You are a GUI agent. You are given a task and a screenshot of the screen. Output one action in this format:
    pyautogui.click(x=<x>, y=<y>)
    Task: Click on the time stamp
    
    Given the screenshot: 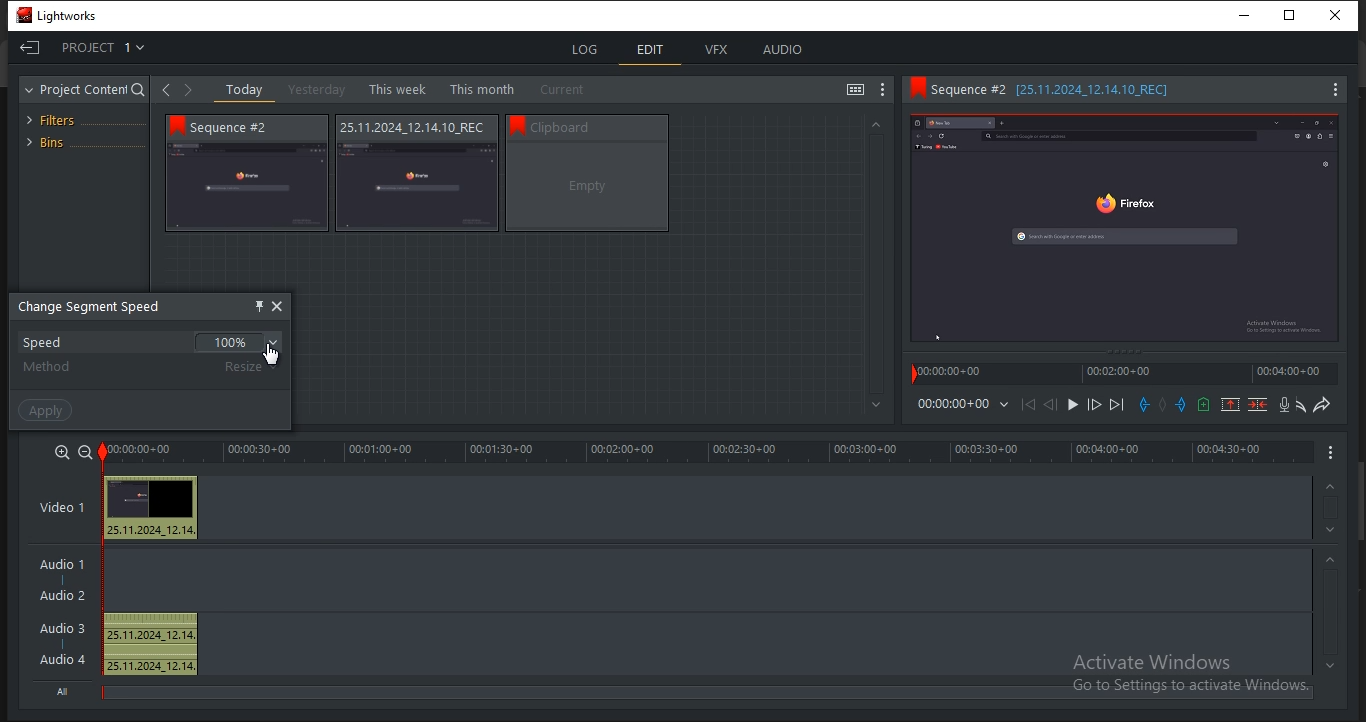 What is the action you would take?
    pyautogui.click(x=1291, y=374)
    